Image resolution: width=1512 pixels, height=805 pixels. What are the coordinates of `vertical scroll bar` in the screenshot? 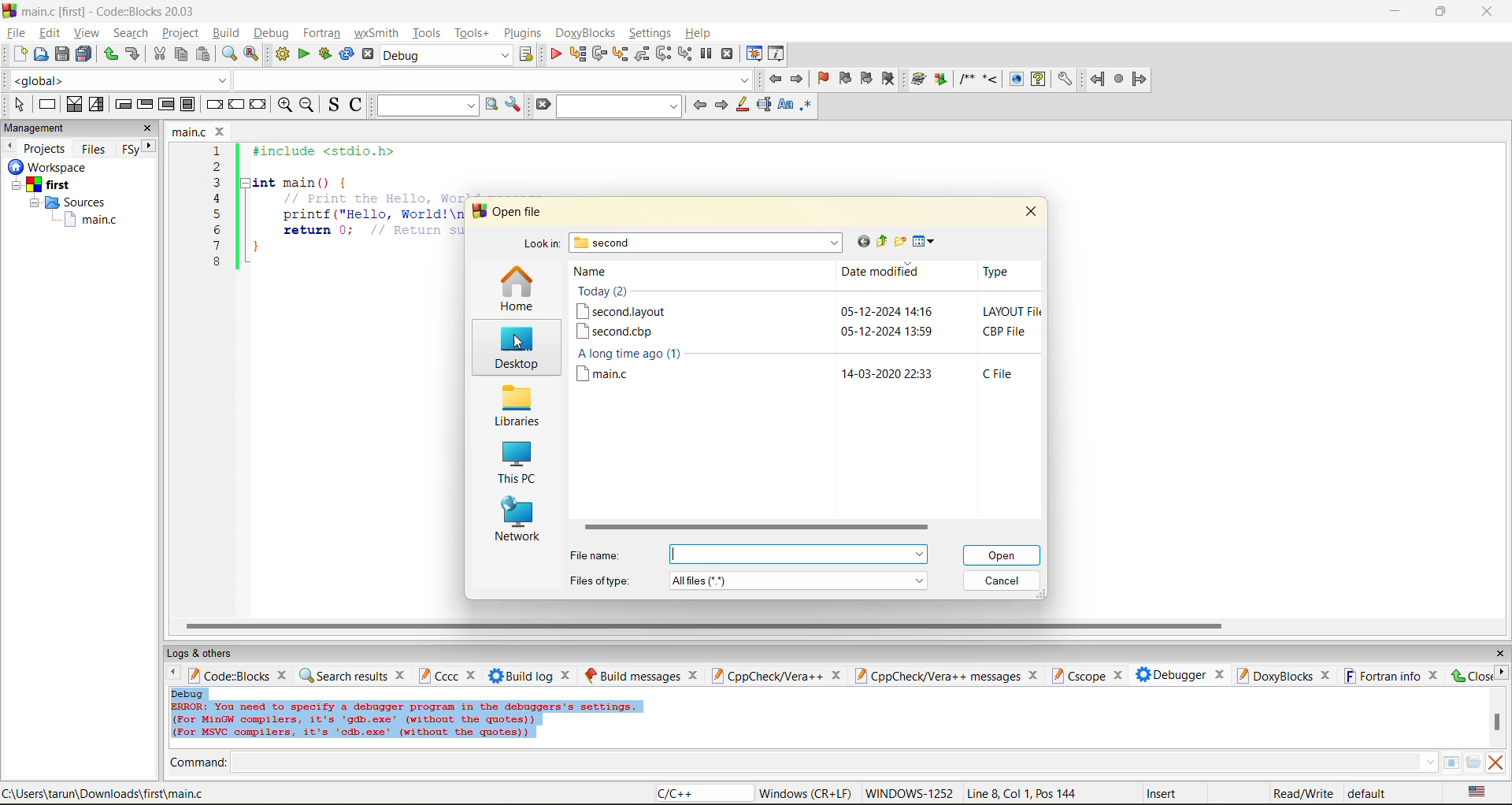 It's located at (1496, 722).